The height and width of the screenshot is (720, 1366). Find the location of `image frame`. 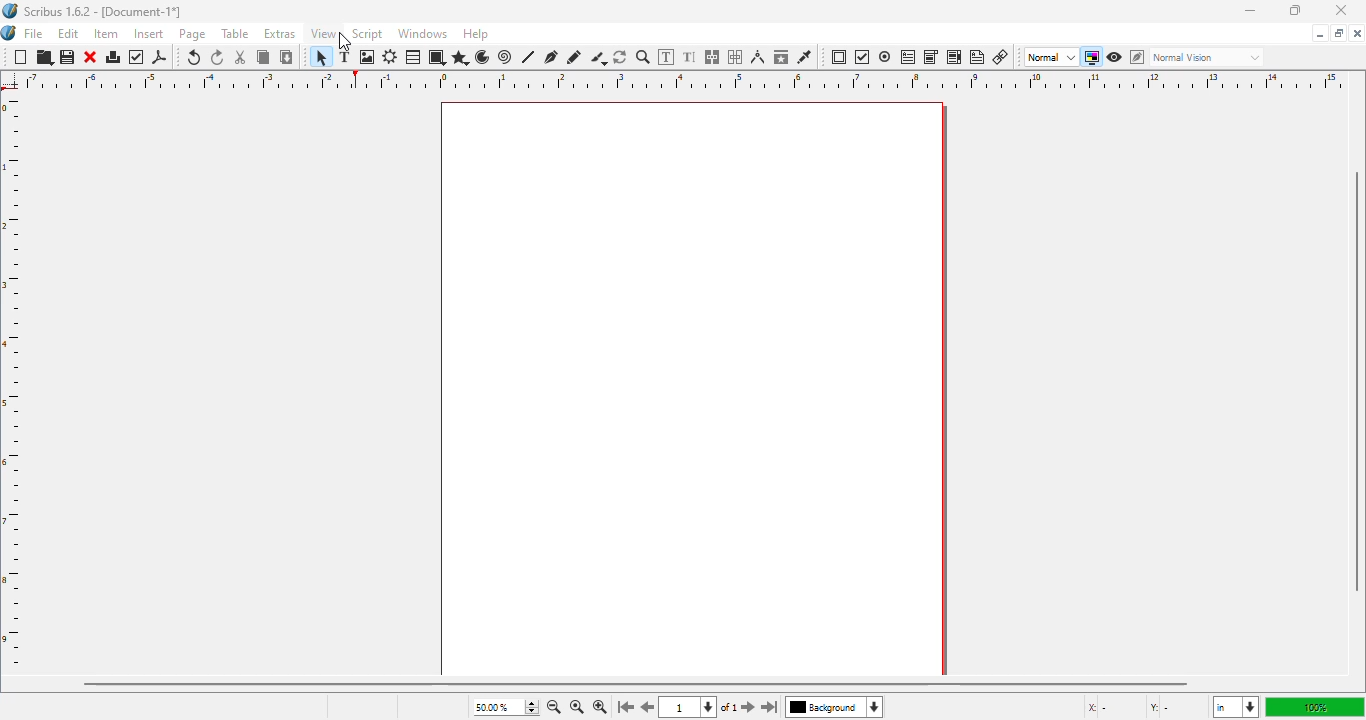

image frame is located at coordinates (368, 57).